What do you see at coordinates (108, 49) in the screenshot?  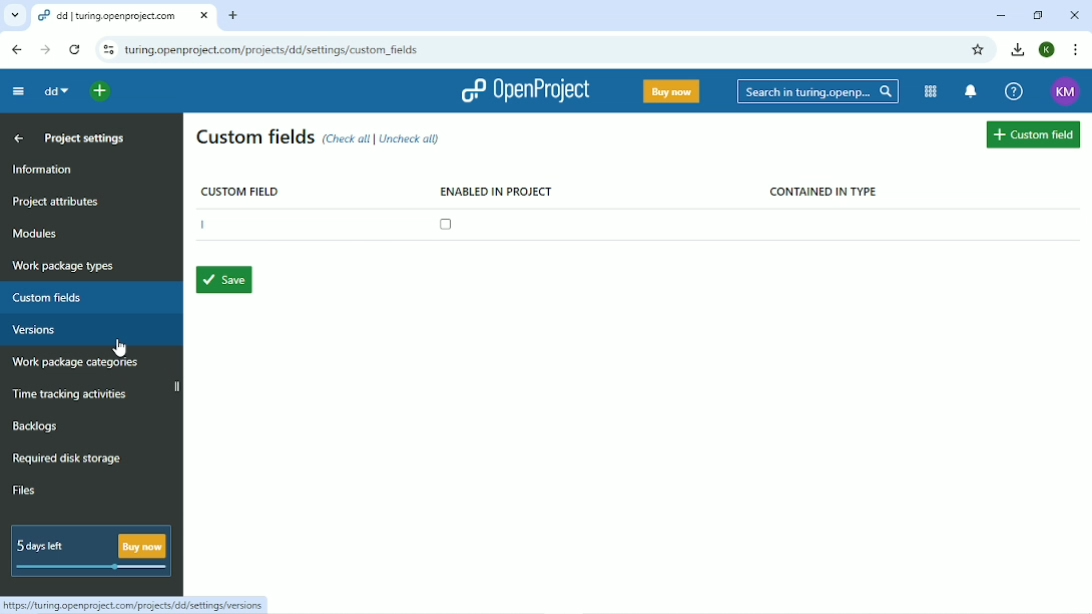 I see `View site information` at bounding box center [108, 49].